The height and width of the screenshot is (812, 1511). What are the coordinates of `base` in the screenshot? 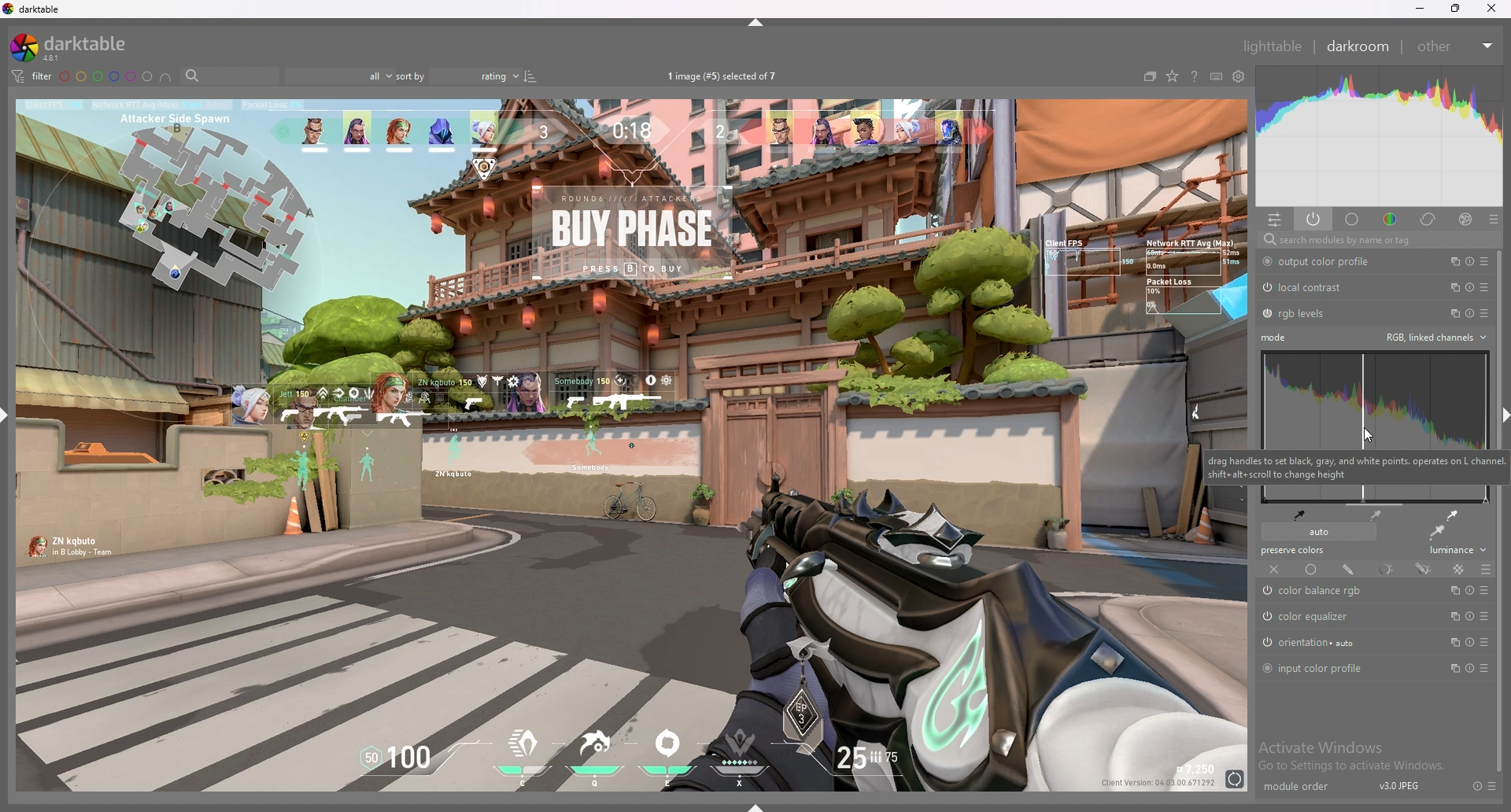 It's located at (1353, 220).